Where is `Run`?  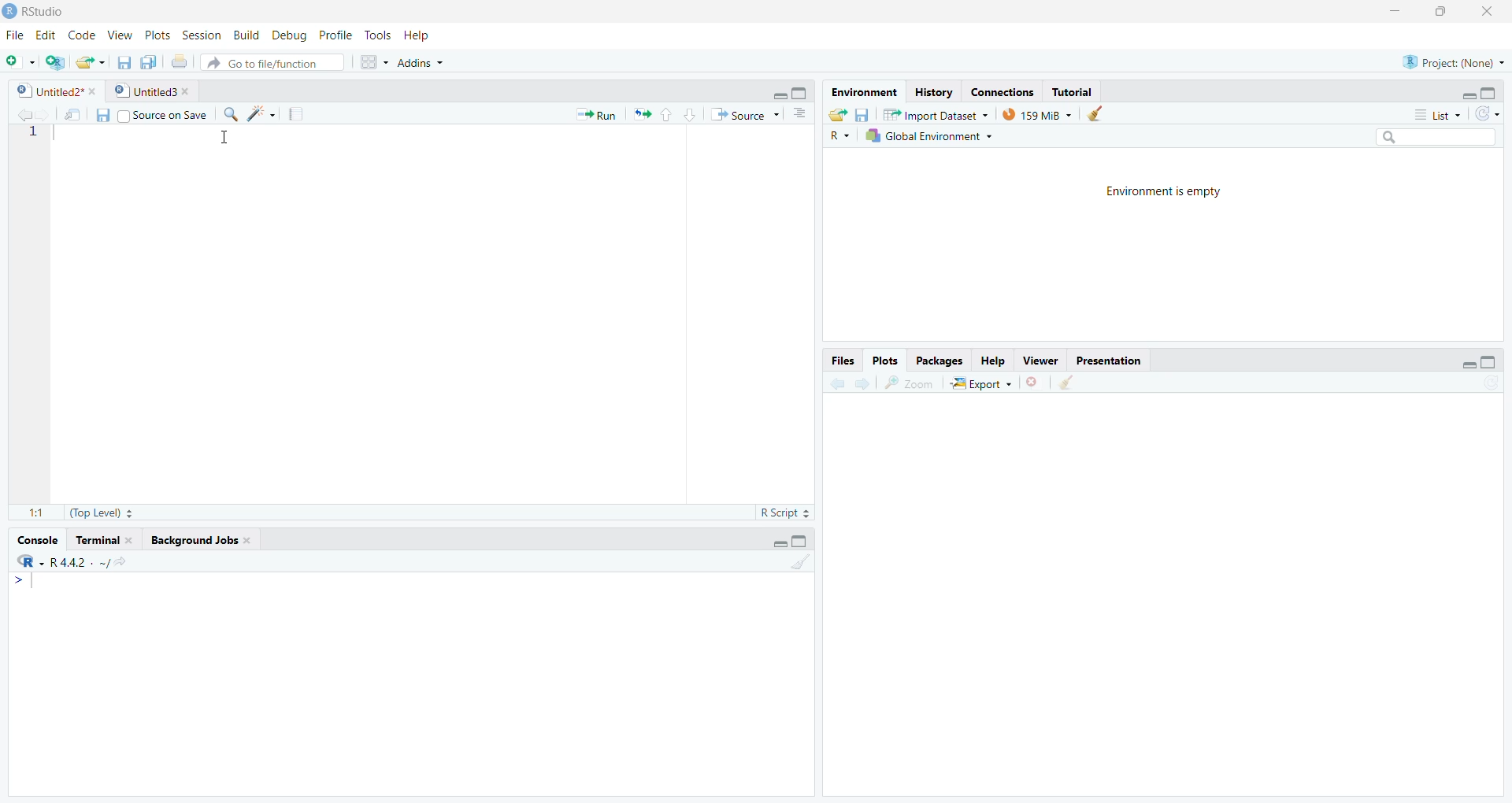
Run is located at coordinates (598, 113).